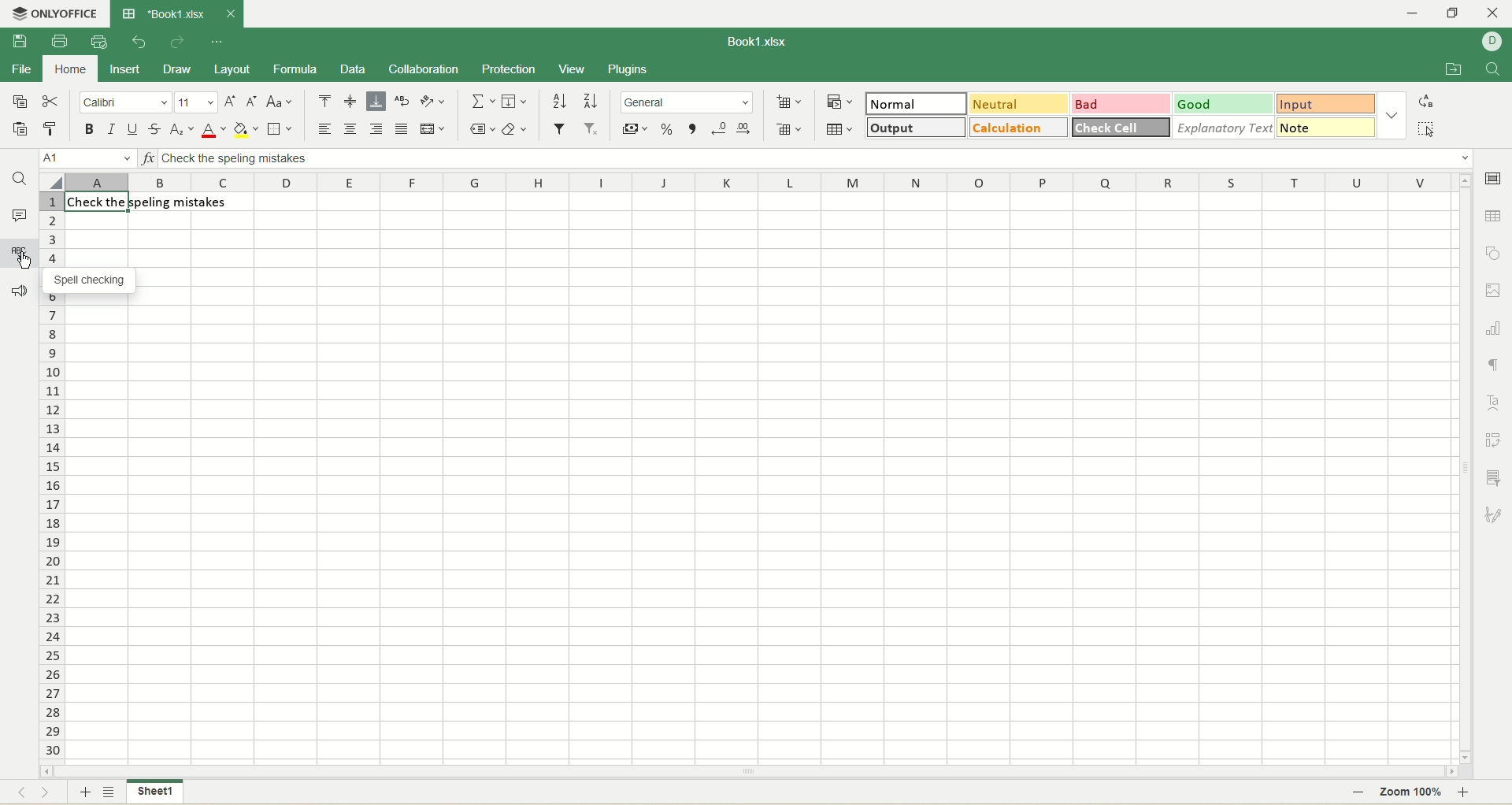  What do you see at coordinates (840, 102) in the screenshot?
I see `conditional formatting` at bounding box center [840, 102].